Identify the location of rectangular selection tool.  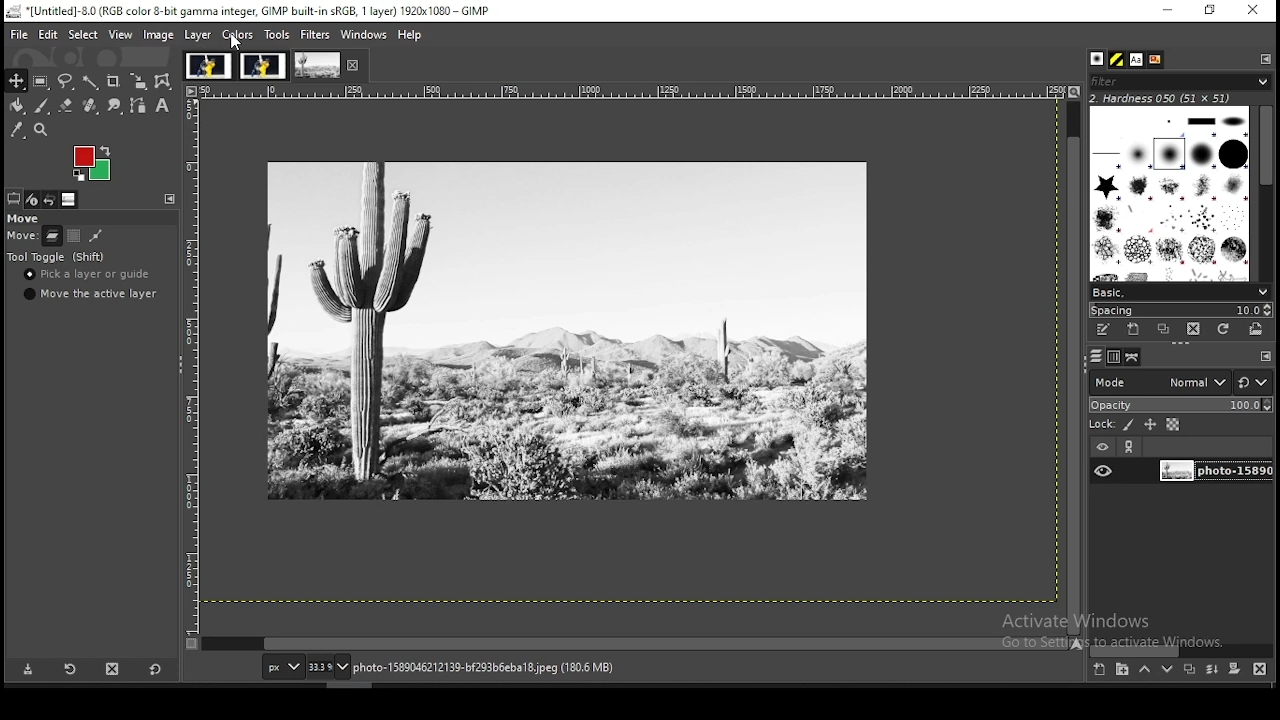
(41, 81).